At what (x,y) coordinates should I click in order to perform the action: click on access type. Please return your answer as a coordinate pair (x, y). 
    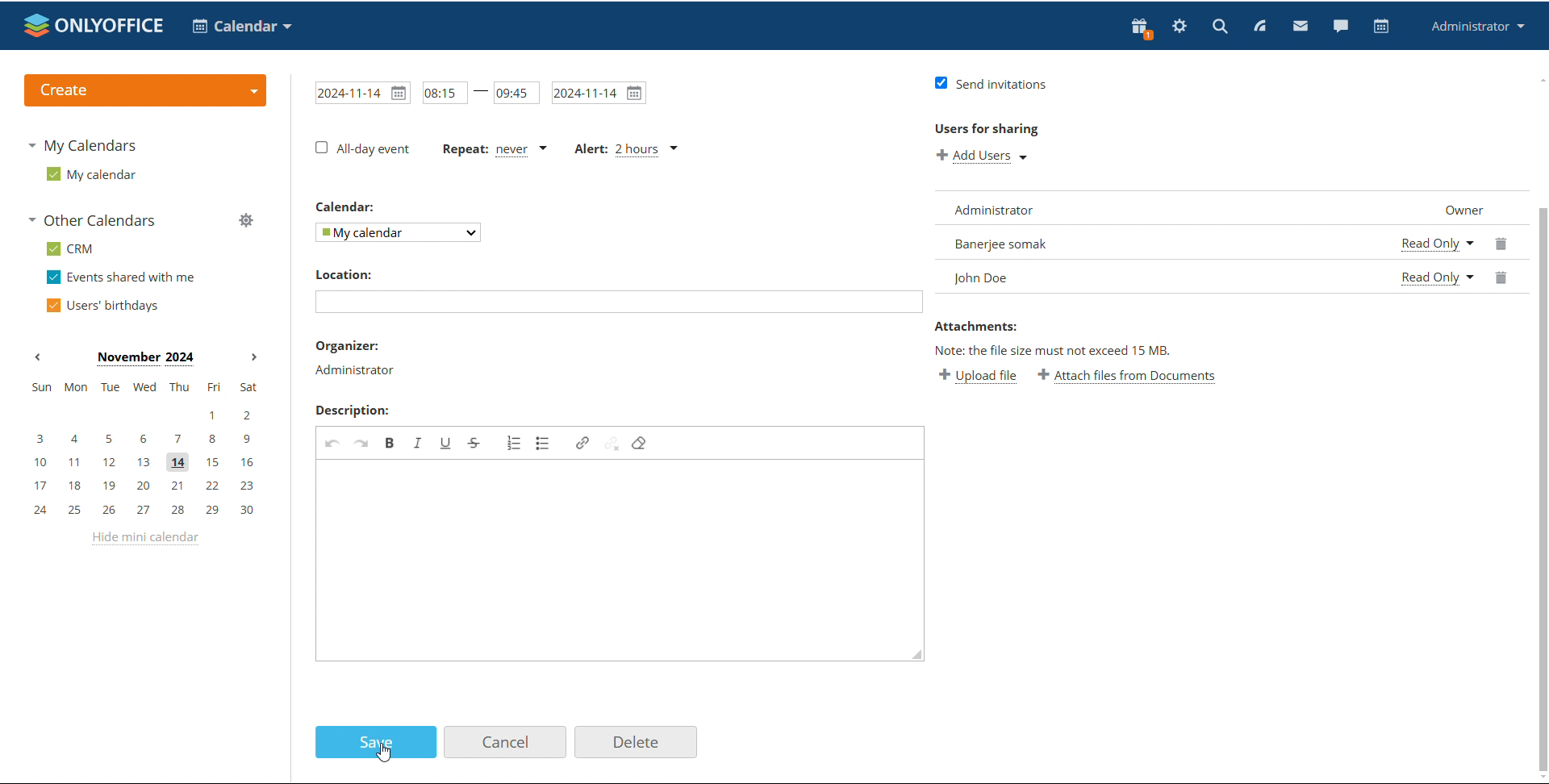
    Looking at the image, I should click on (1439, 259).